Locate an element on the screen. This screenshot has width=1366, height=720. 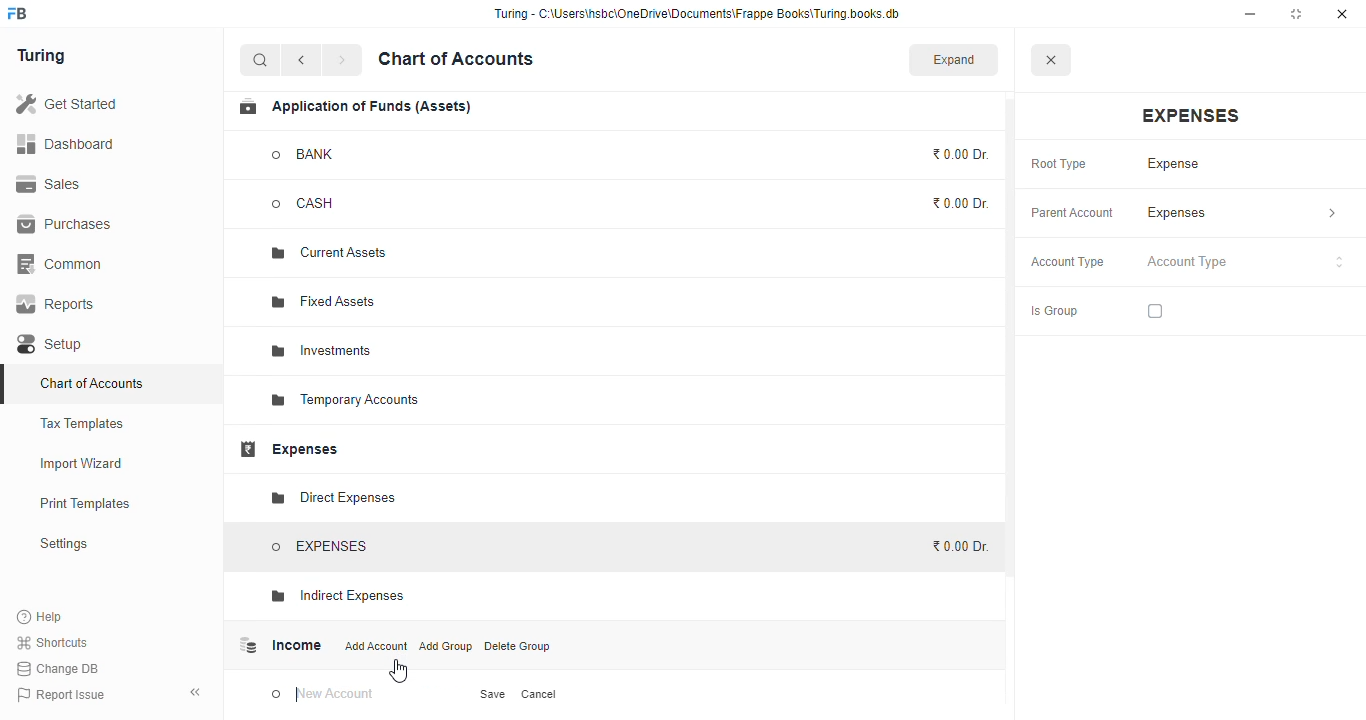
BANK  is located at coordinates (304, 154).